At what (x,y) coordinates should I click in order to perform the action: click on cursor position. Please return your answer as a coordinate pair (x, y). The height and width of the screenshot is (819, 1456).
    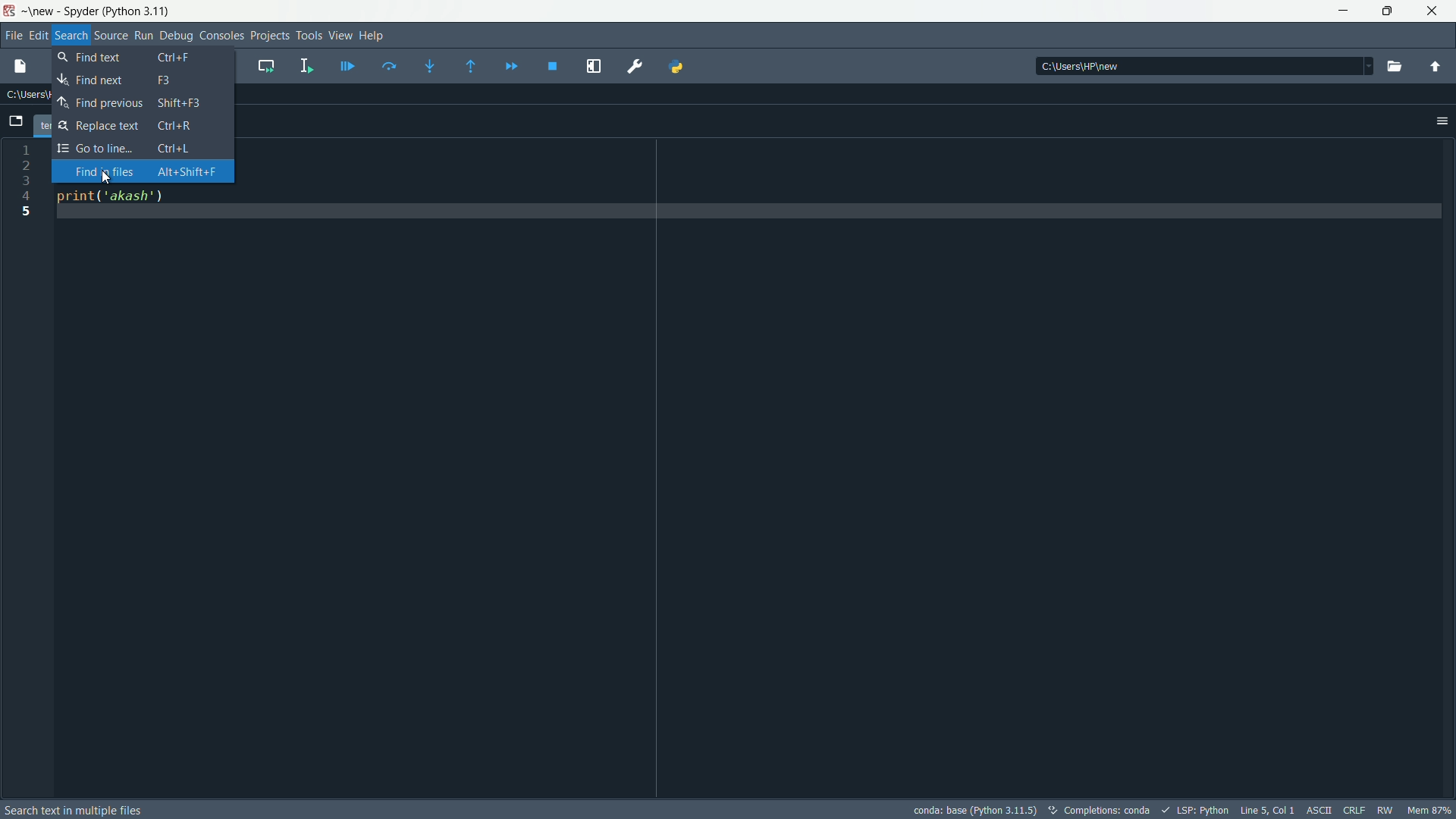
    Looking at the image, I should click on (1268, 810).